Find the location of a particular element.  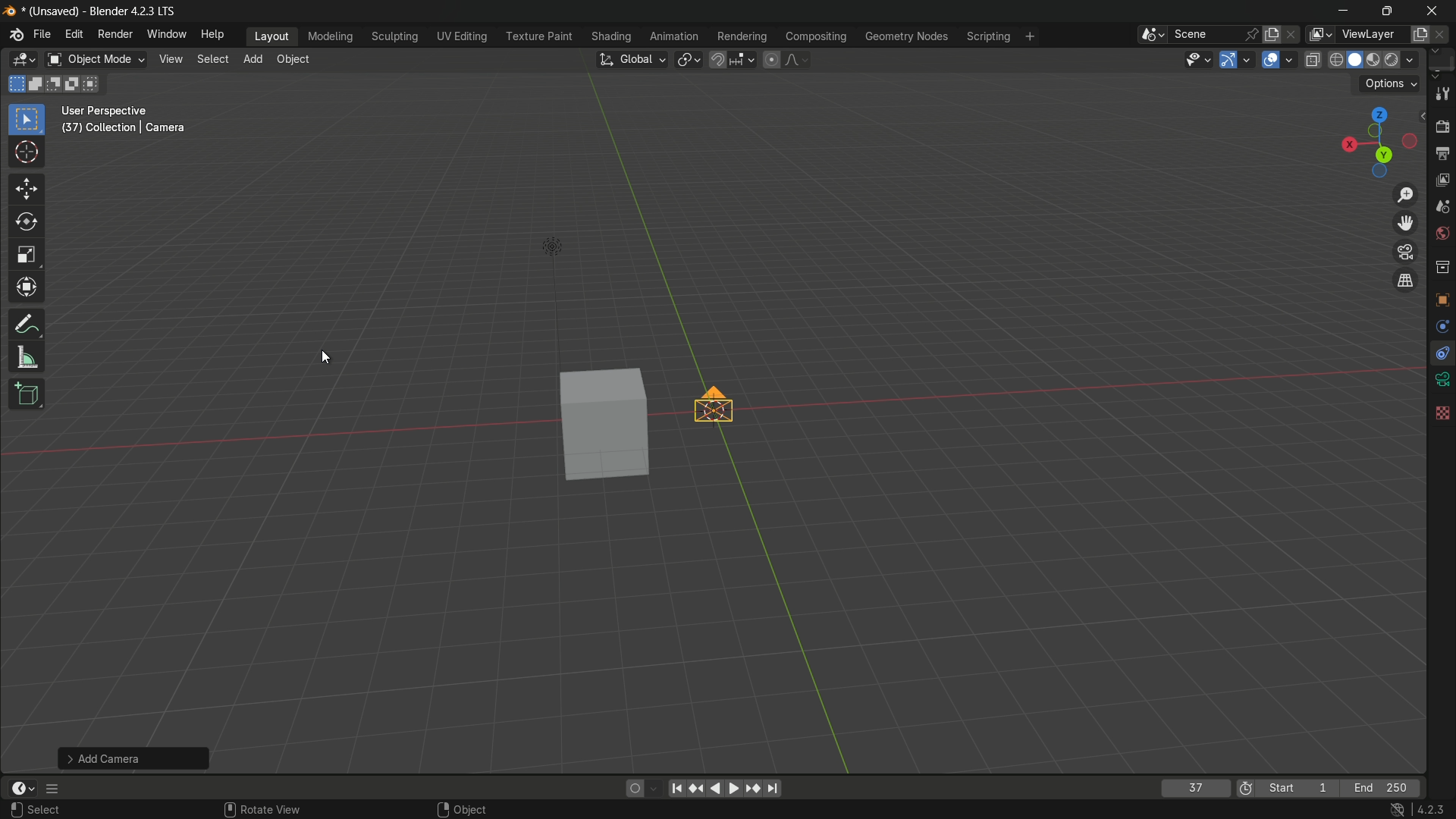

view layer name is located at coordinates (1374, 35).